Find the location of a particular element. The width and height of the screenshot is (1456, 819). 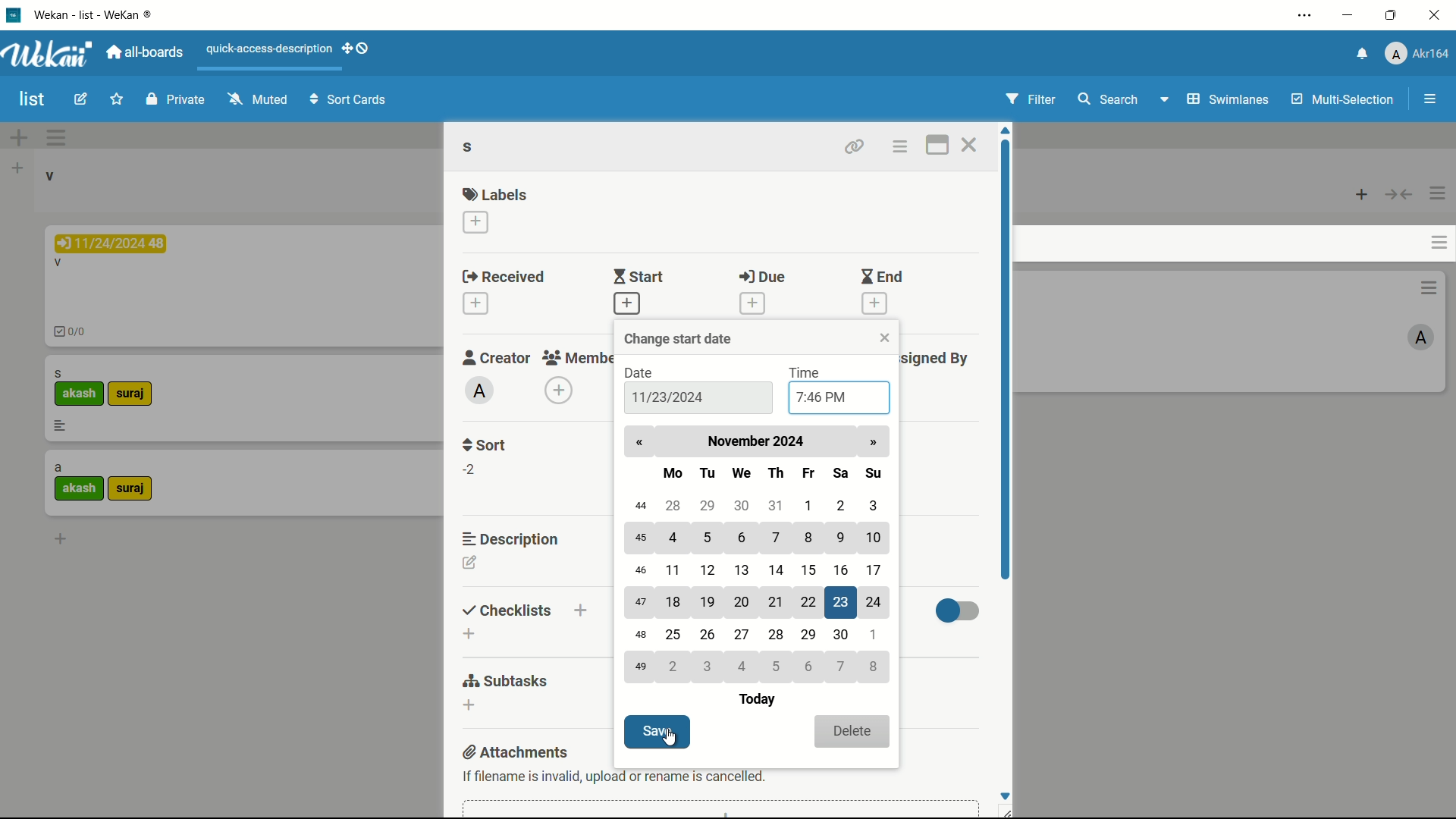

start is located at coordinates (642, 277).